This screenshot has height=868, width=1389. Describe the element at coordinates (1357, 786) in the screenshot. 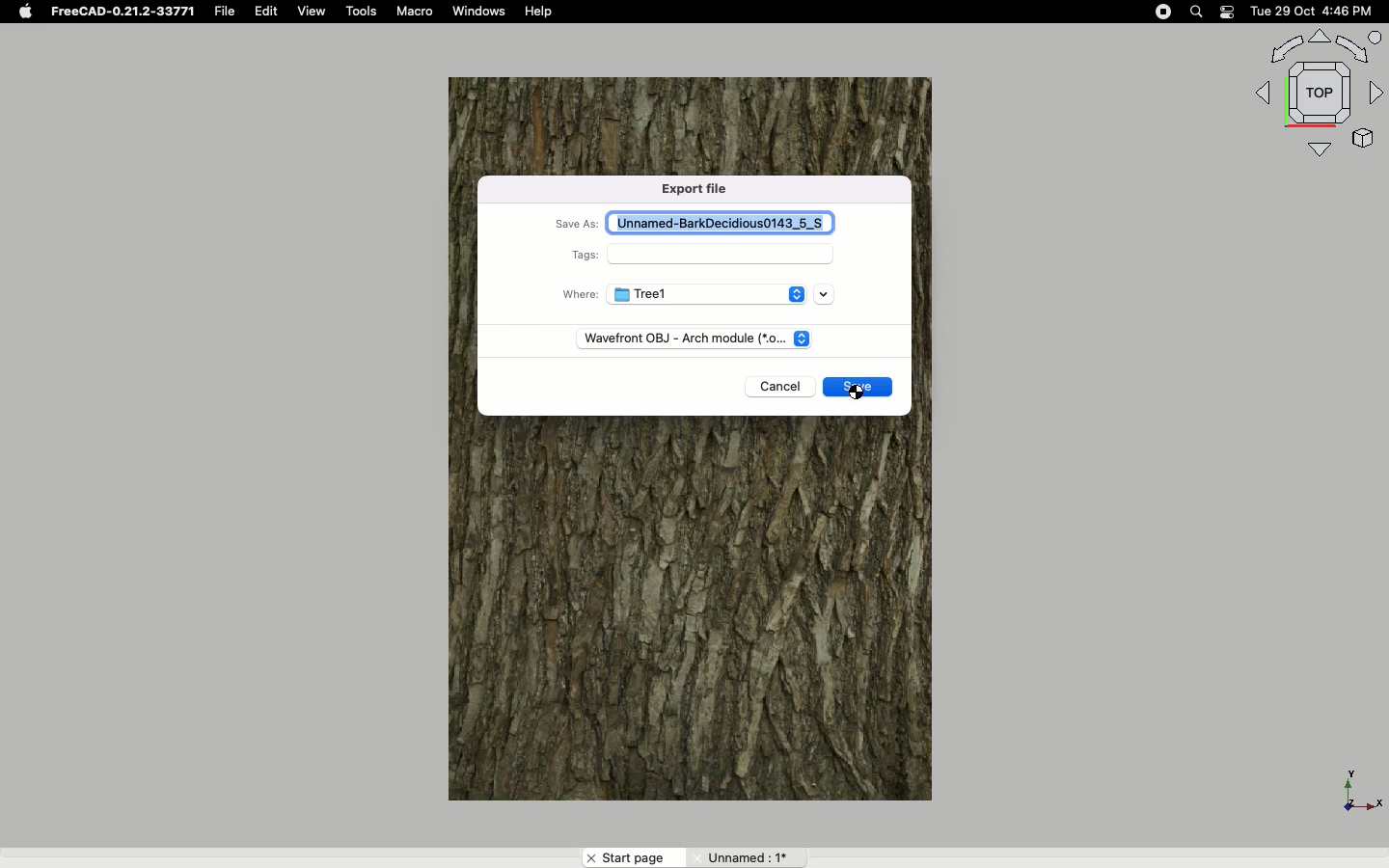

I see `Axis` at that location.